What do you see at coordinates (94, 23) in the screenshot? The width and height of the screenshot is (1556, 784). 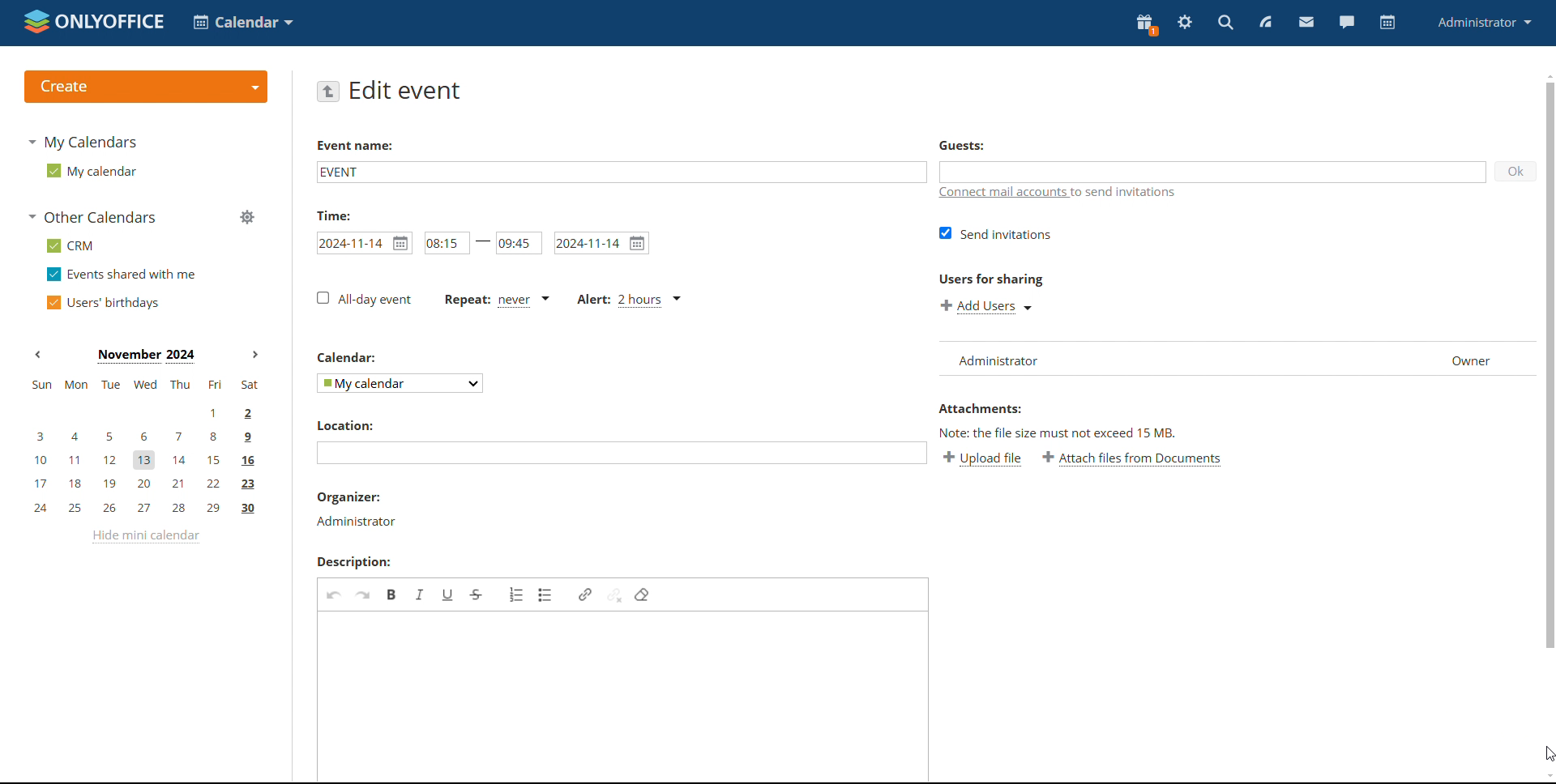 I see `logo` at bounding box center [94, 23].